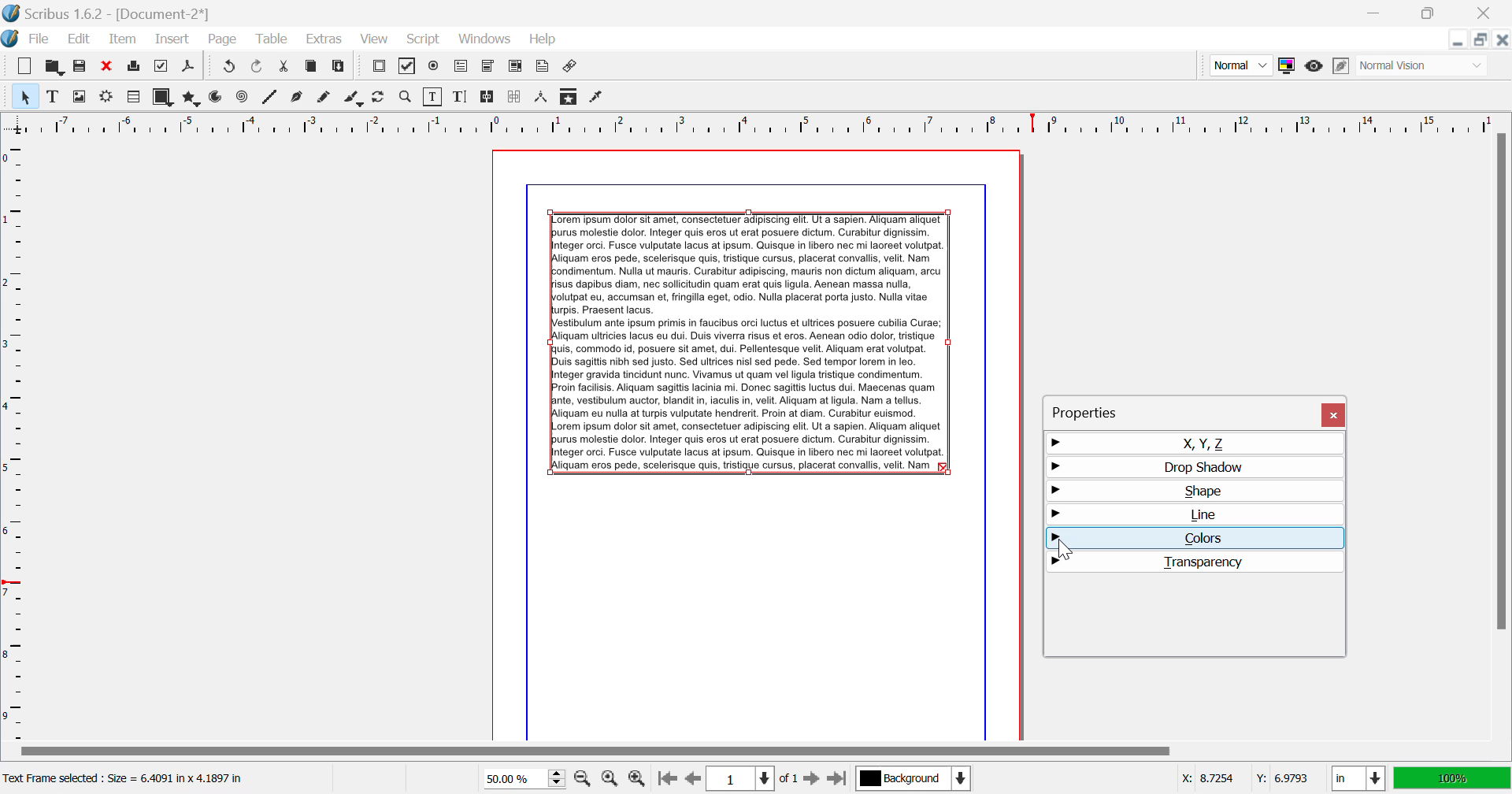 The height and width of the screenshot is (794, 1512). I want to click on Shapes, so click(162, 97).